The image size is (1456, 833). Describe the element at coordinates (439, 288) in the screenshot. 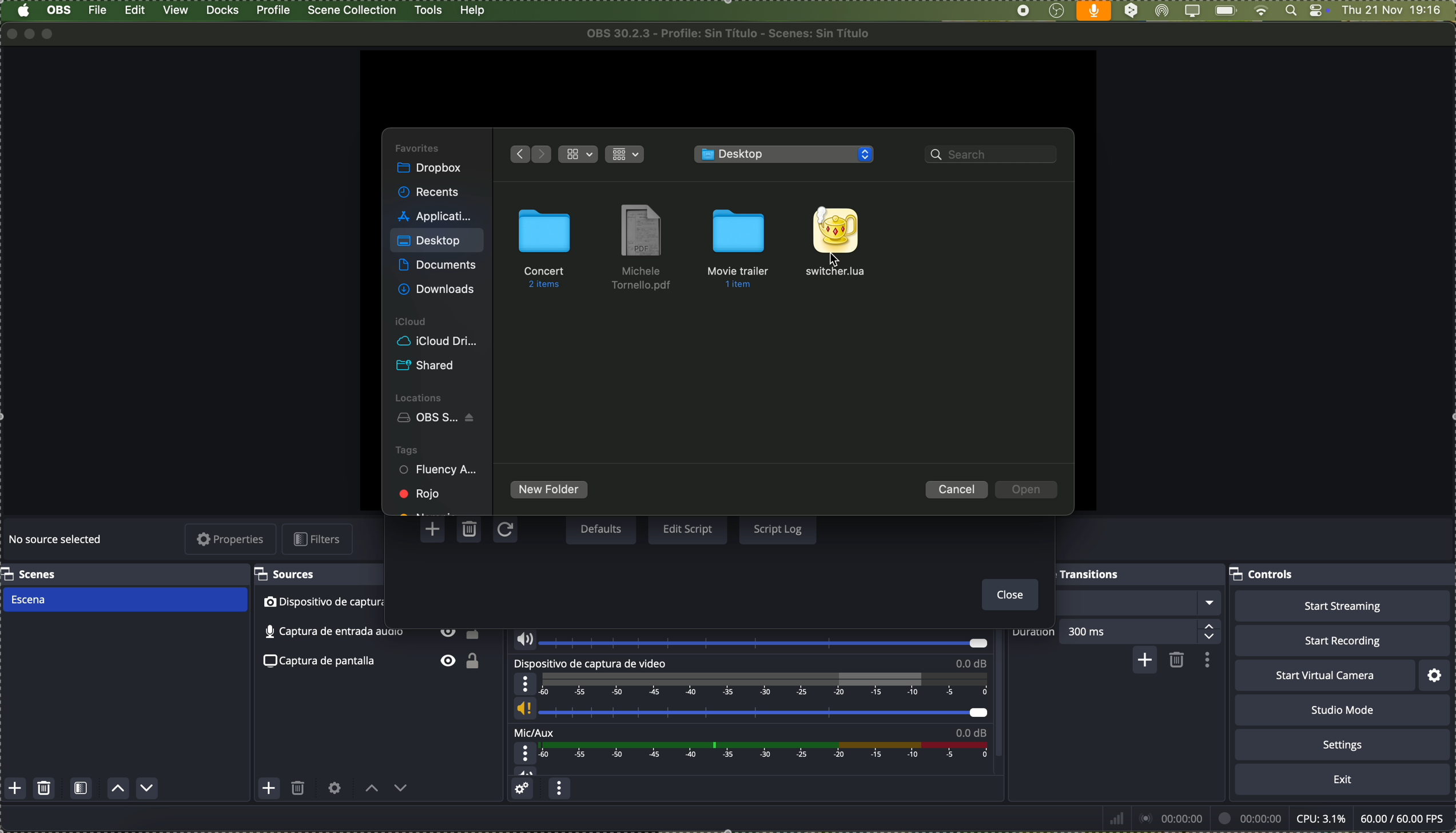

I see `downloads` at that location.